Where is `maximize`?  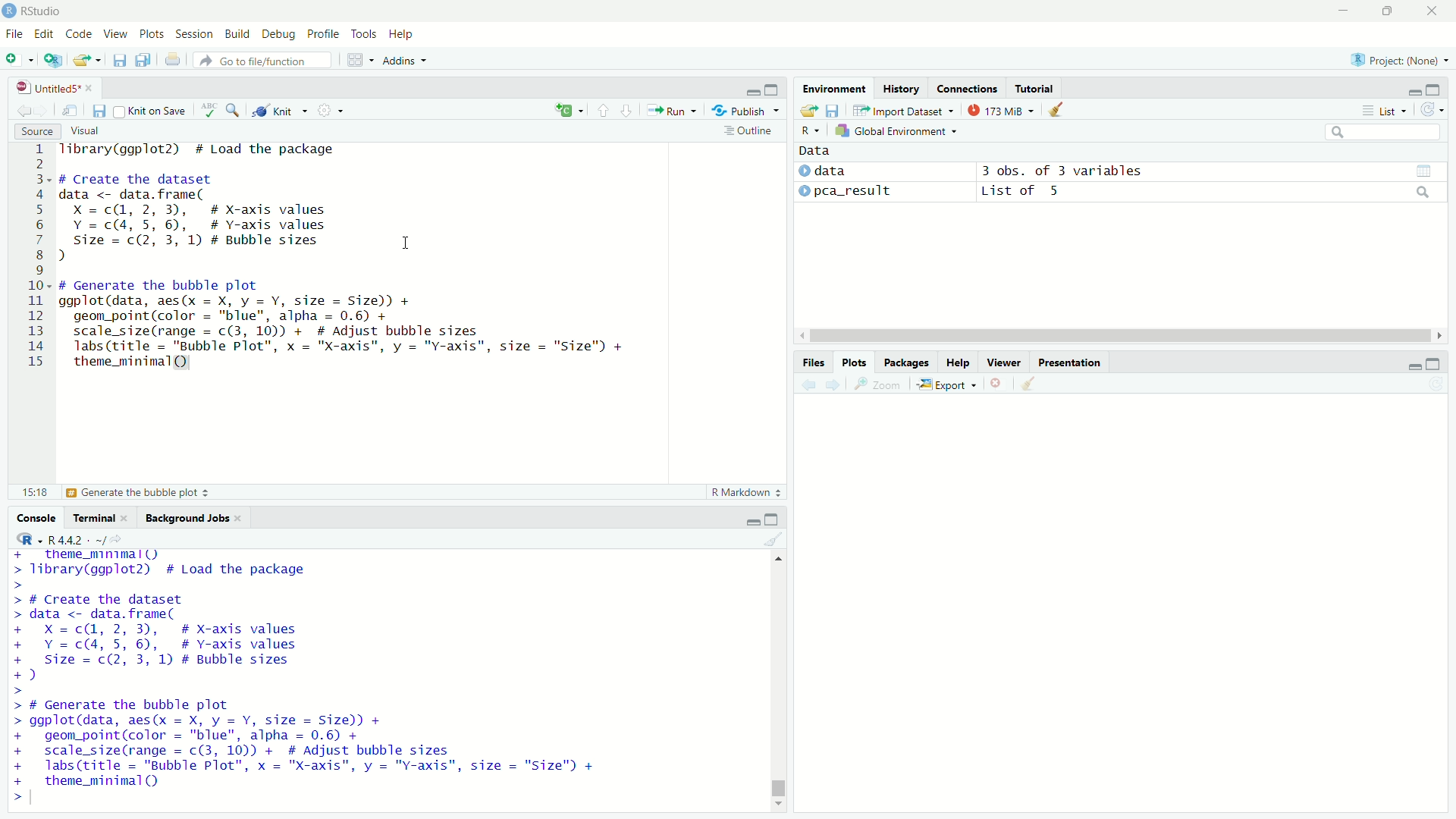
maximize is located at coordinates (775, 88).